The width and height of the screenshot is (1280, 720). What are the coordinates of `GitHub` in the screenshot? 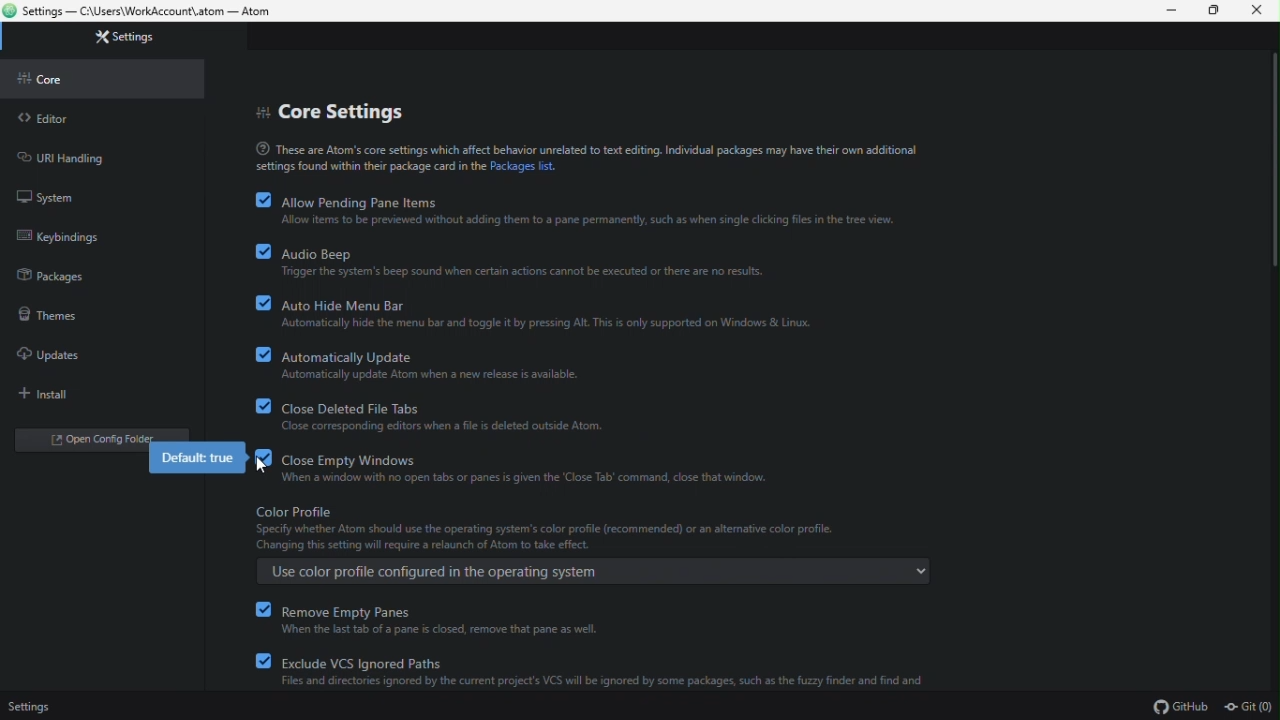 It's located at (1179, 707).